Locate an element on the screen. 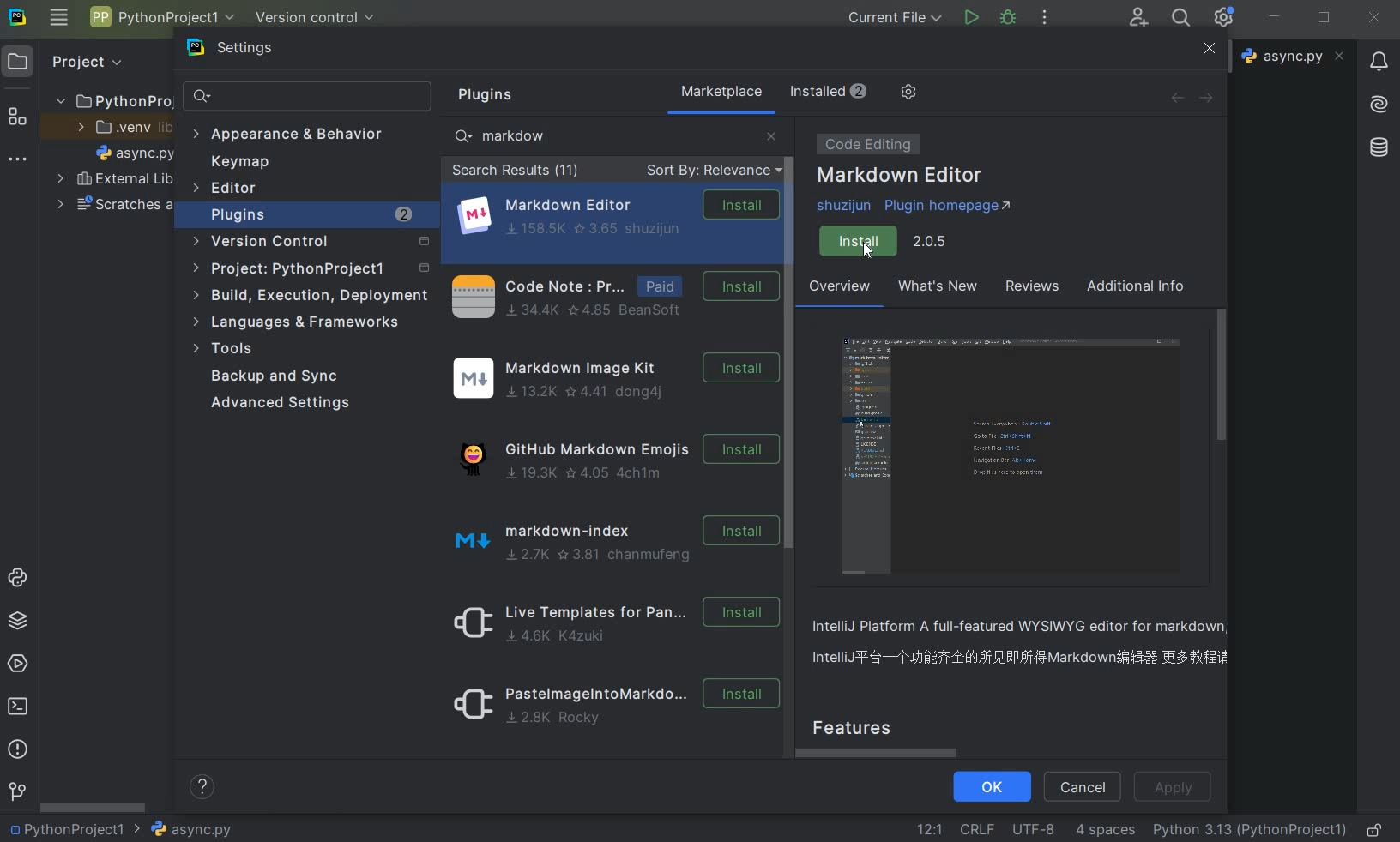 Image resolution: width=1400 pixels, height=842 pixels. project folder is located at coordinates (108, 100).